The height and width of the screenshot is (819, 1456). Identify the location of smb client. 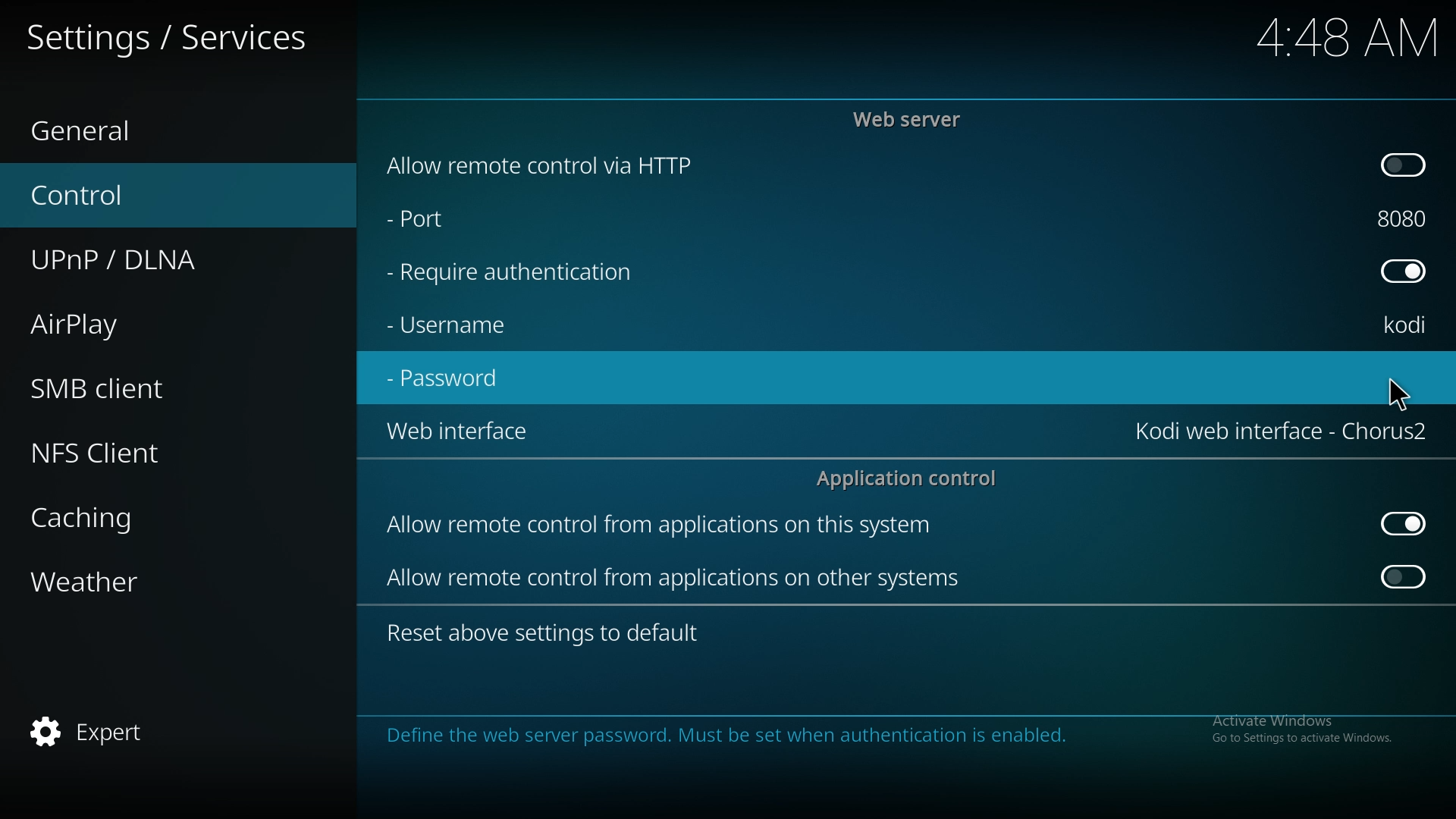
(120, 388).